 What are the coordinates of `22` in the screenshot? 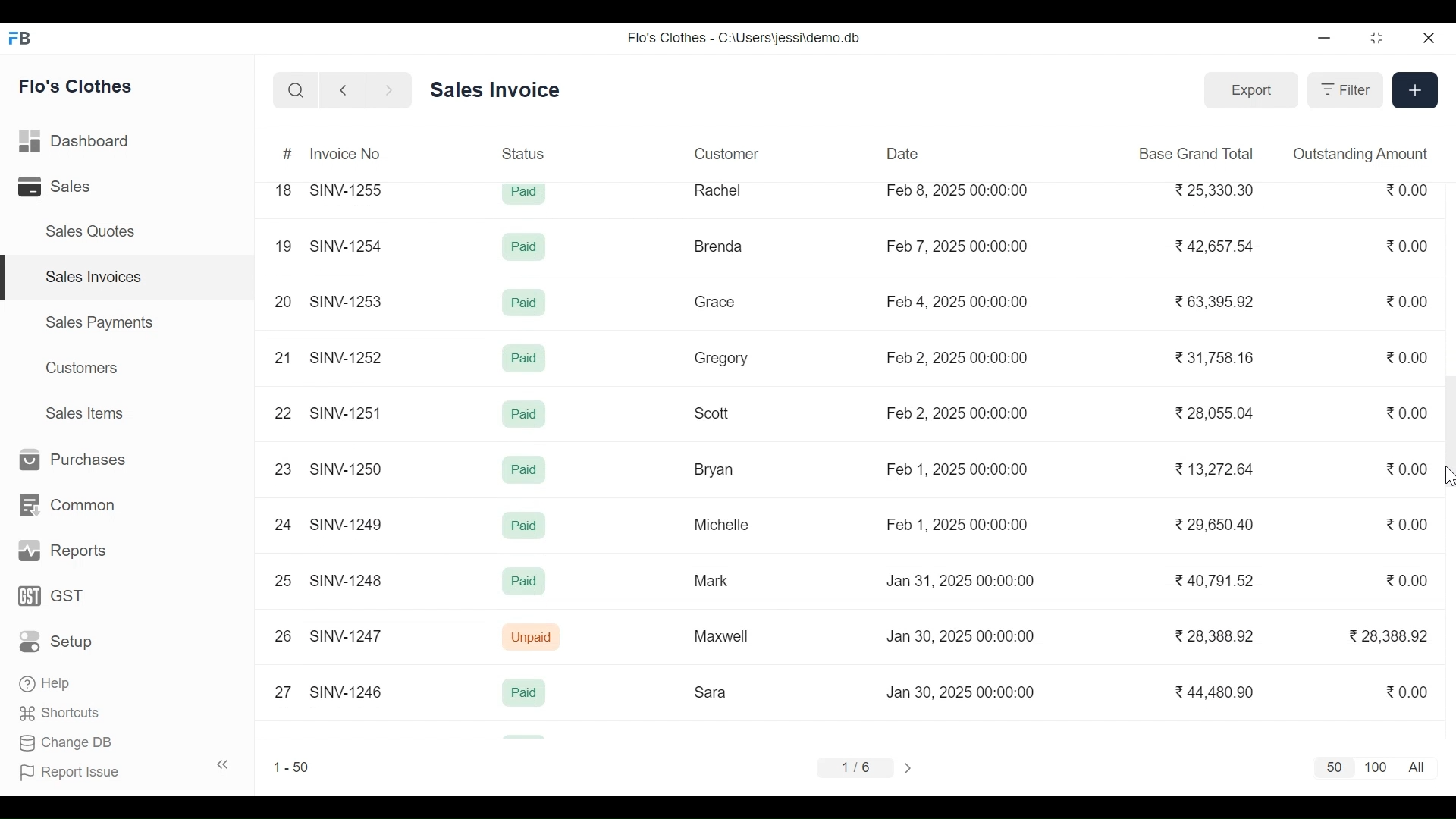 It's located at (281, 413).